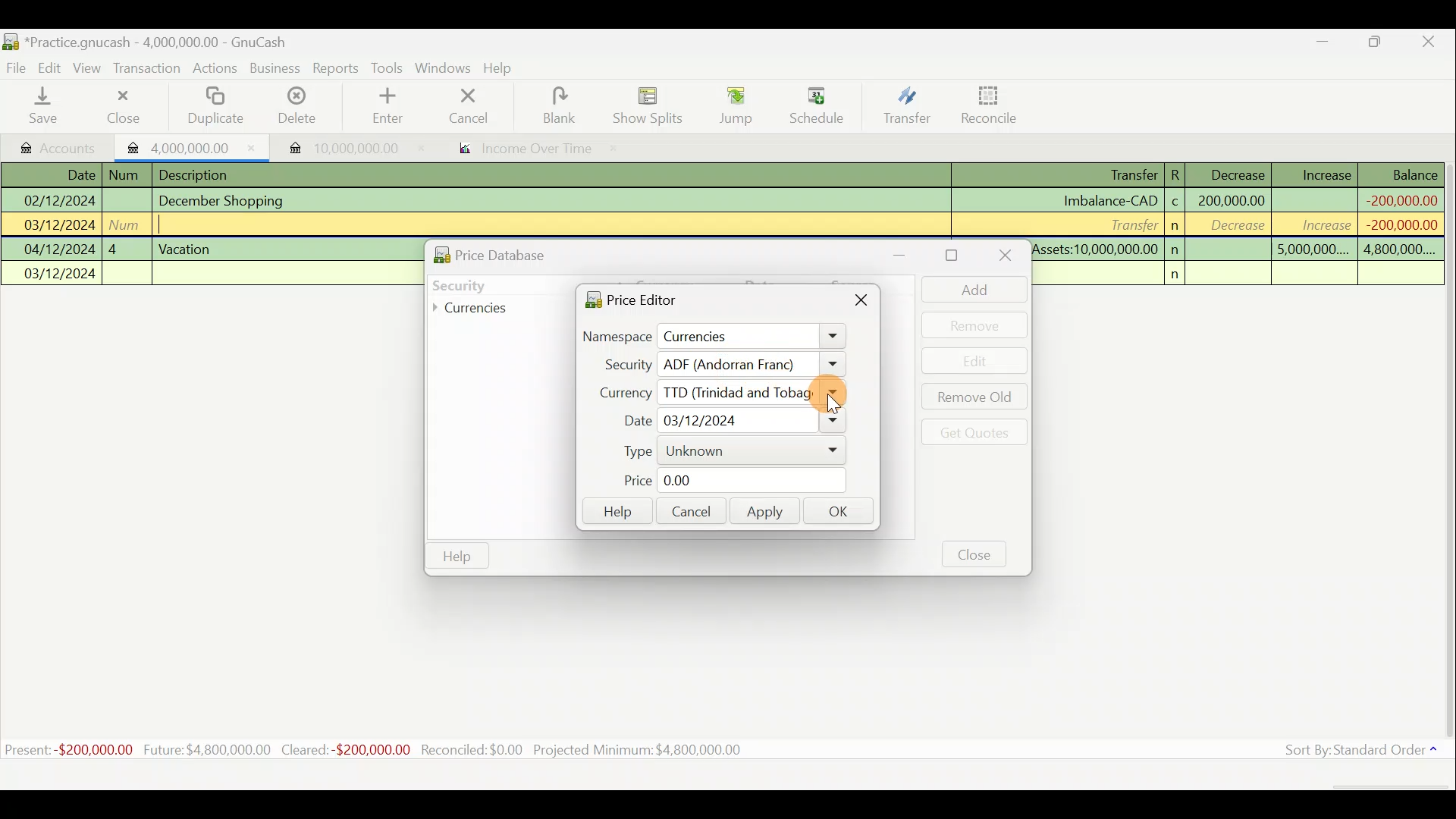 The height and width of the screenshot is (819, 1456). I want to click on n, so click(1177, 249).